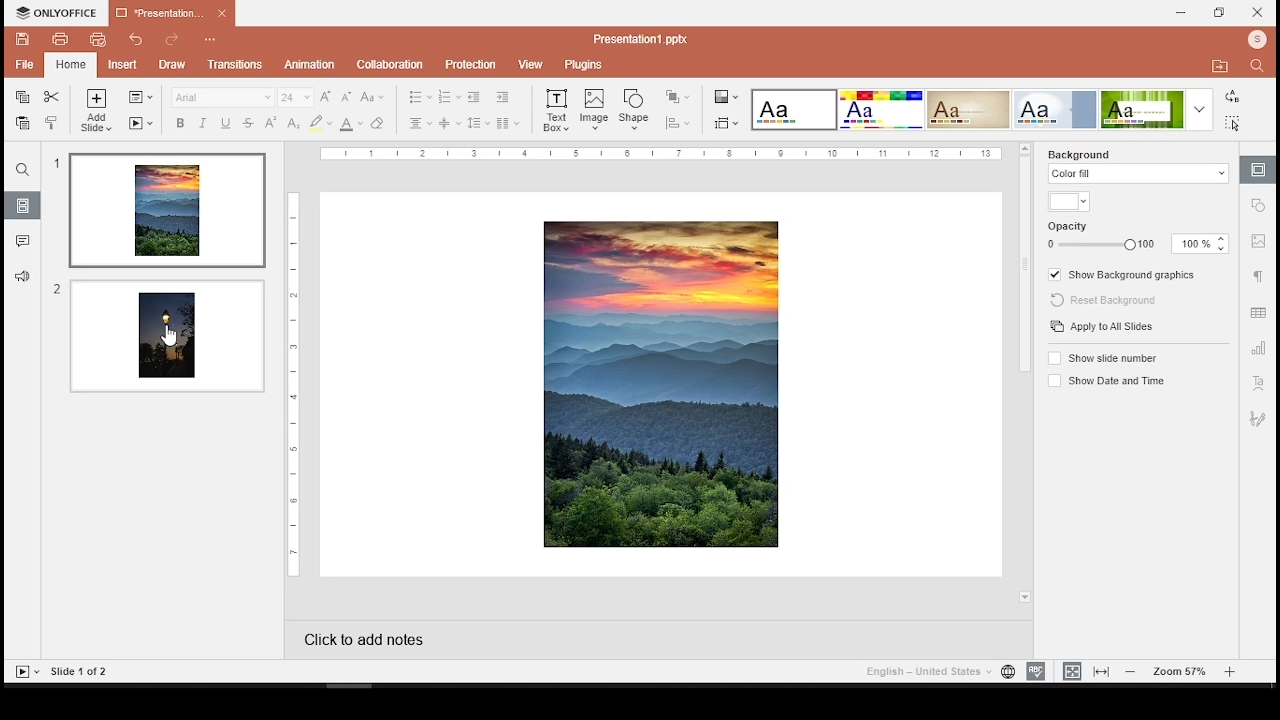 Image resolution: width=1280 pixels, height=720 pixels. What do you see at coordinates (594, 110) in the screenshot?
I see `image` at bounding box center [594, 110].